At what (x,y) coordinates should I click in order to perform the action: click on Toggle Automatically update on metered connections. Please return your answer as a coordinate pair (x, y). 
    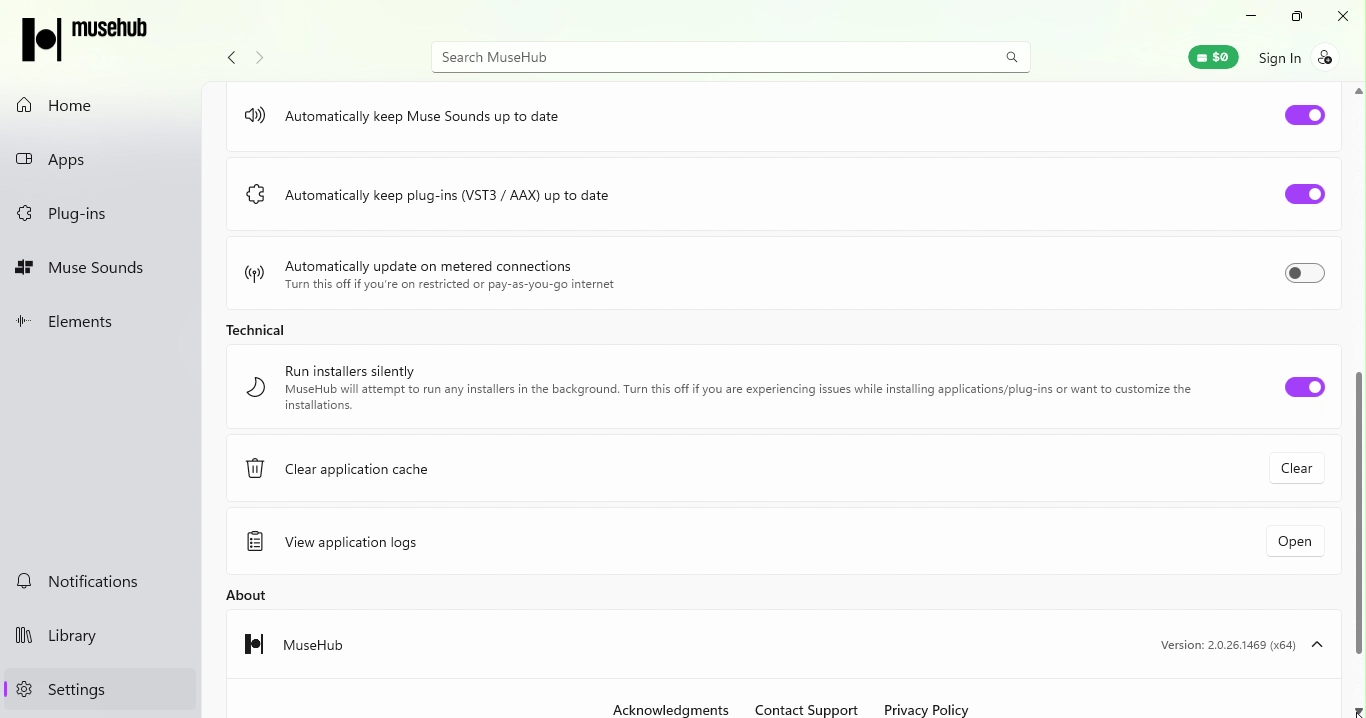
    Looking at the image, I should click on (1306, 270).